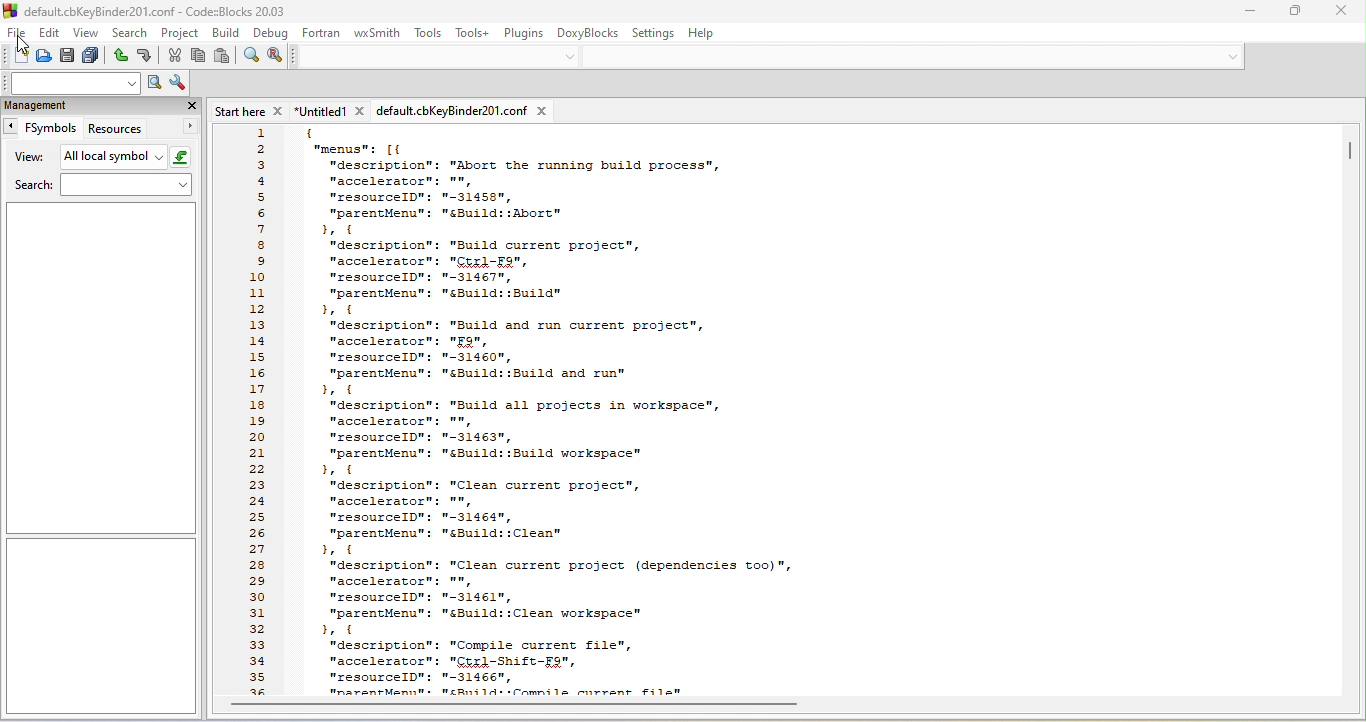 Image resolution: width=1366 pixels, height=722 pixels. What do you see at coordinates (558, 411) in the screenshot?
I see `code` at bounding box center [558, 411].